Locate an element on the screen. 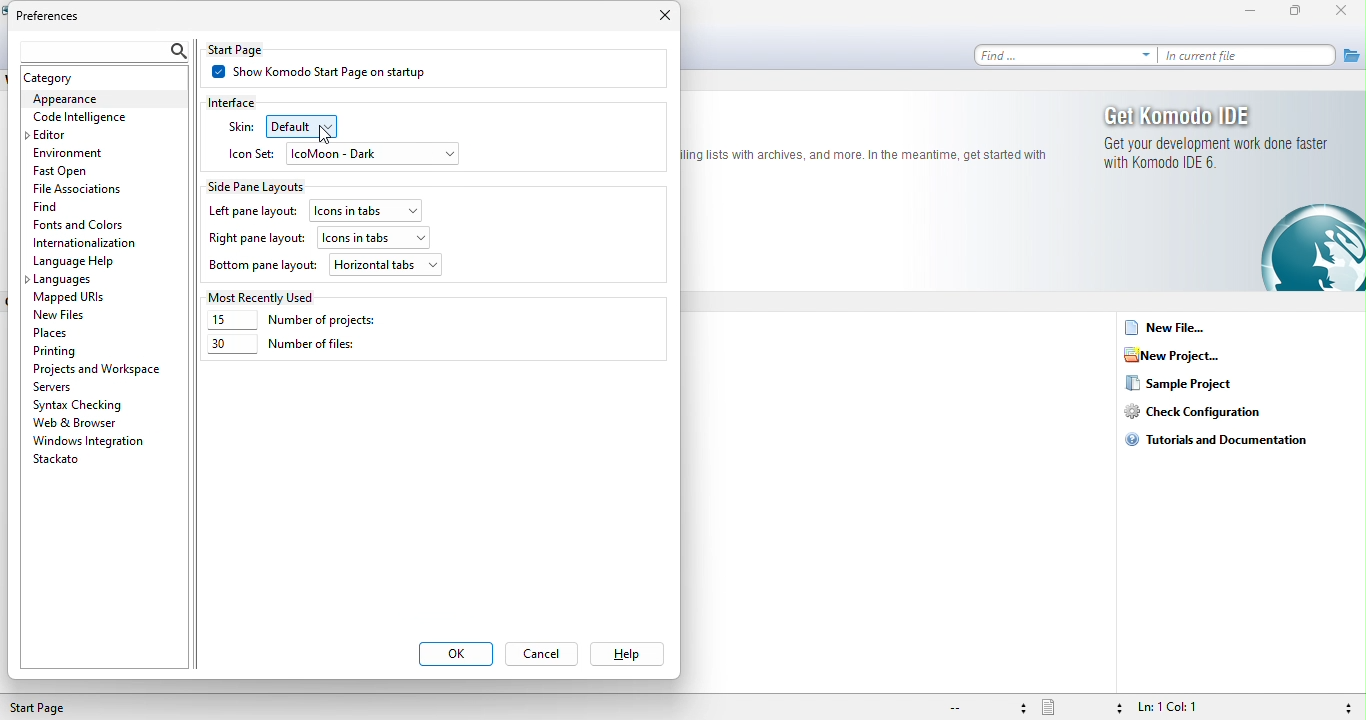 This screenshot has height=720, width=1366. category is located at coordinates (72, 78).